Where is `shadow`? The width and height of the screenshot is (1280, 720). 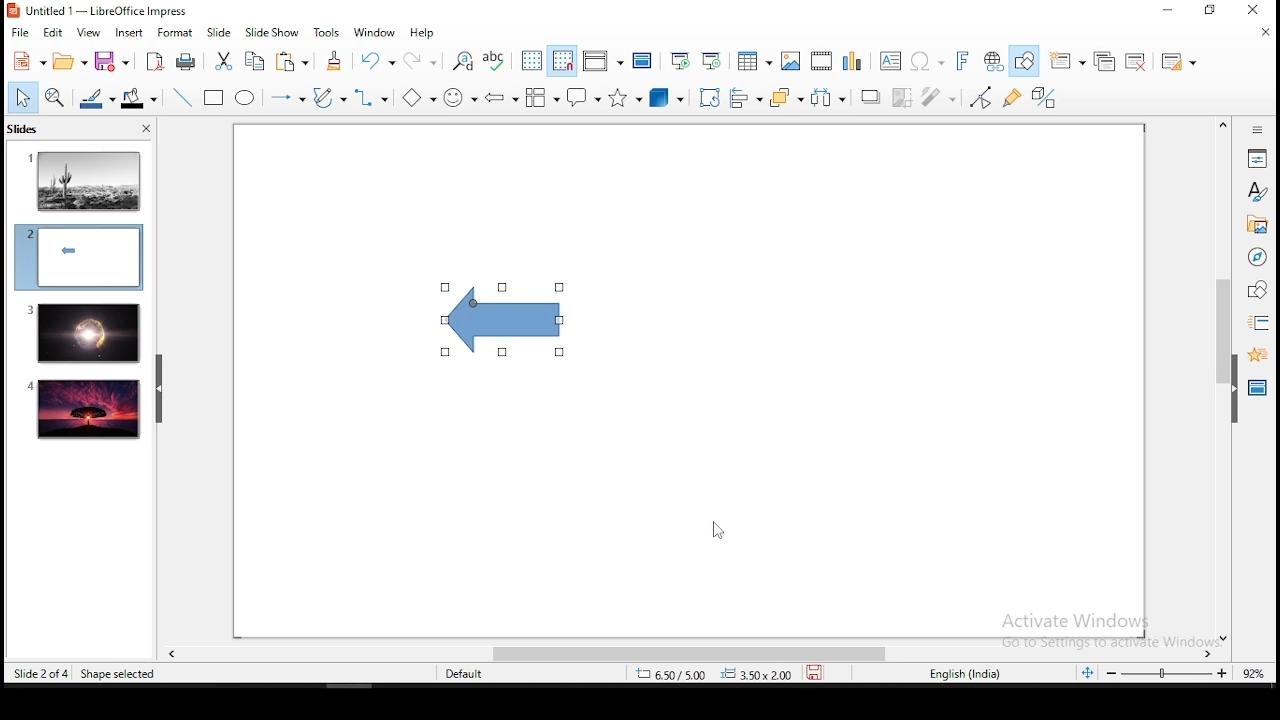
shadow is located at coordinates (870, 95).